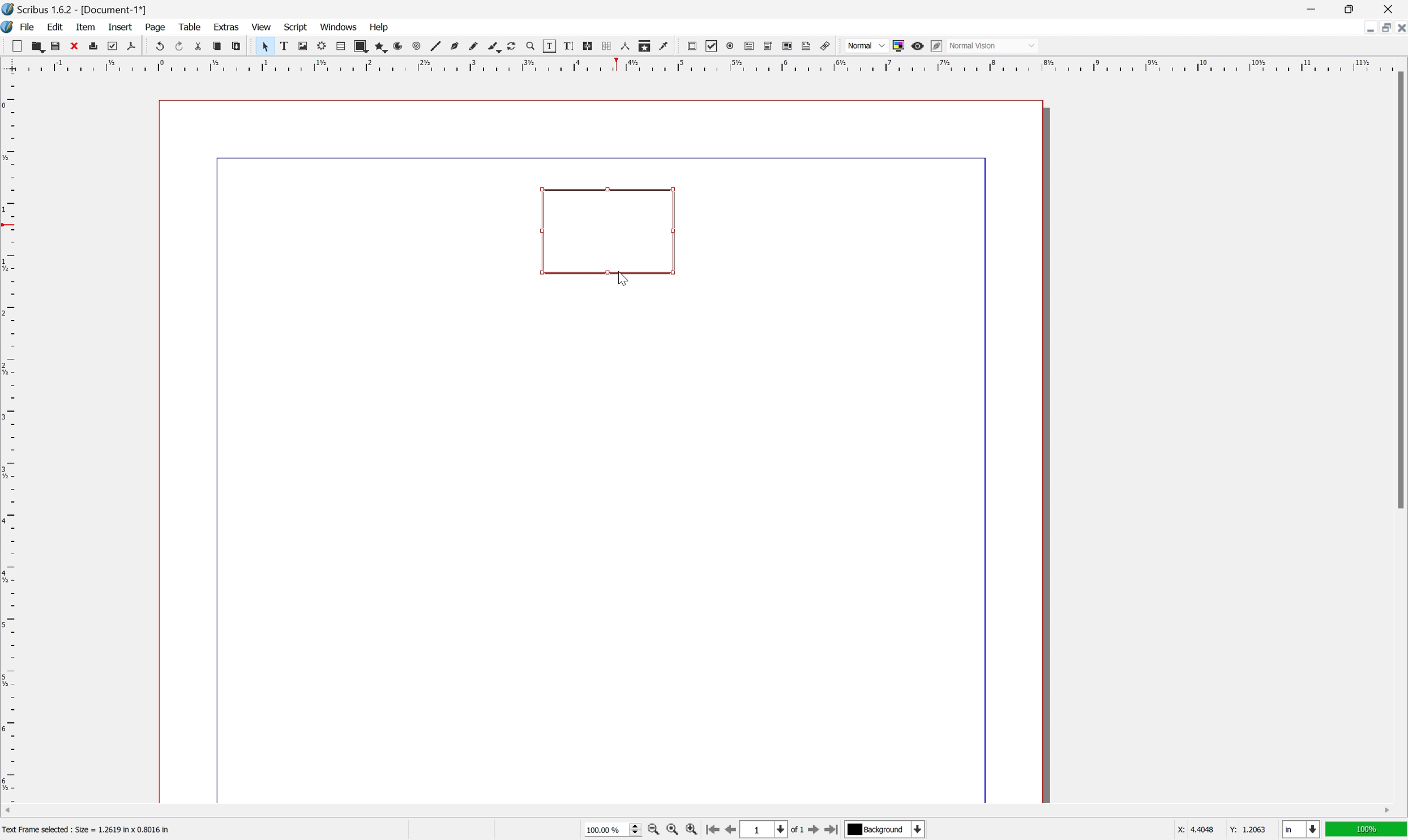  Describe the element at coordinates (807, 46) in the screenshot. I see `text annotation` at that location.